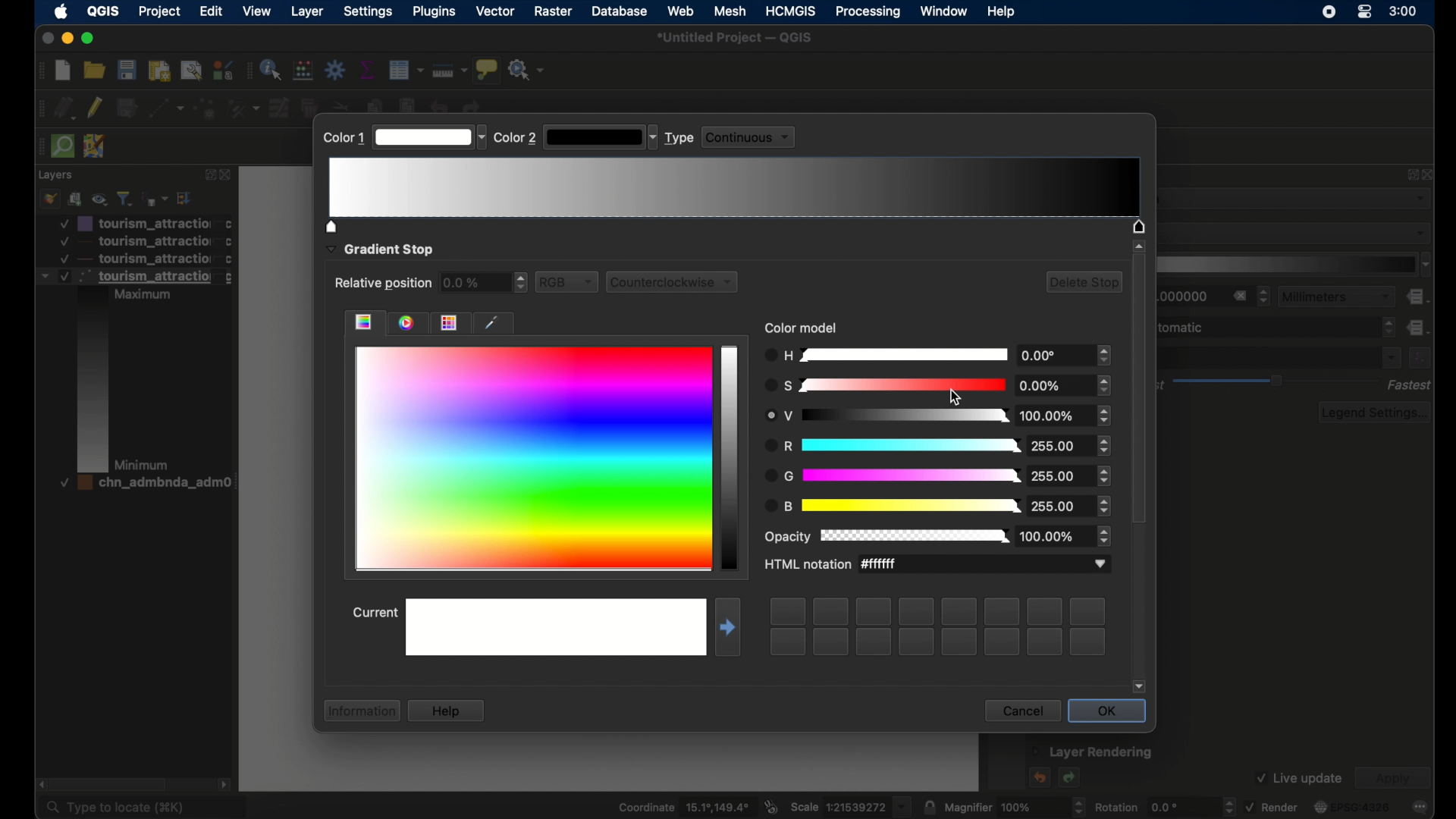 The image size is (1456, 819). Describe the element at coordinates (56, 175) in the screenshot. I see `layers` at that location.